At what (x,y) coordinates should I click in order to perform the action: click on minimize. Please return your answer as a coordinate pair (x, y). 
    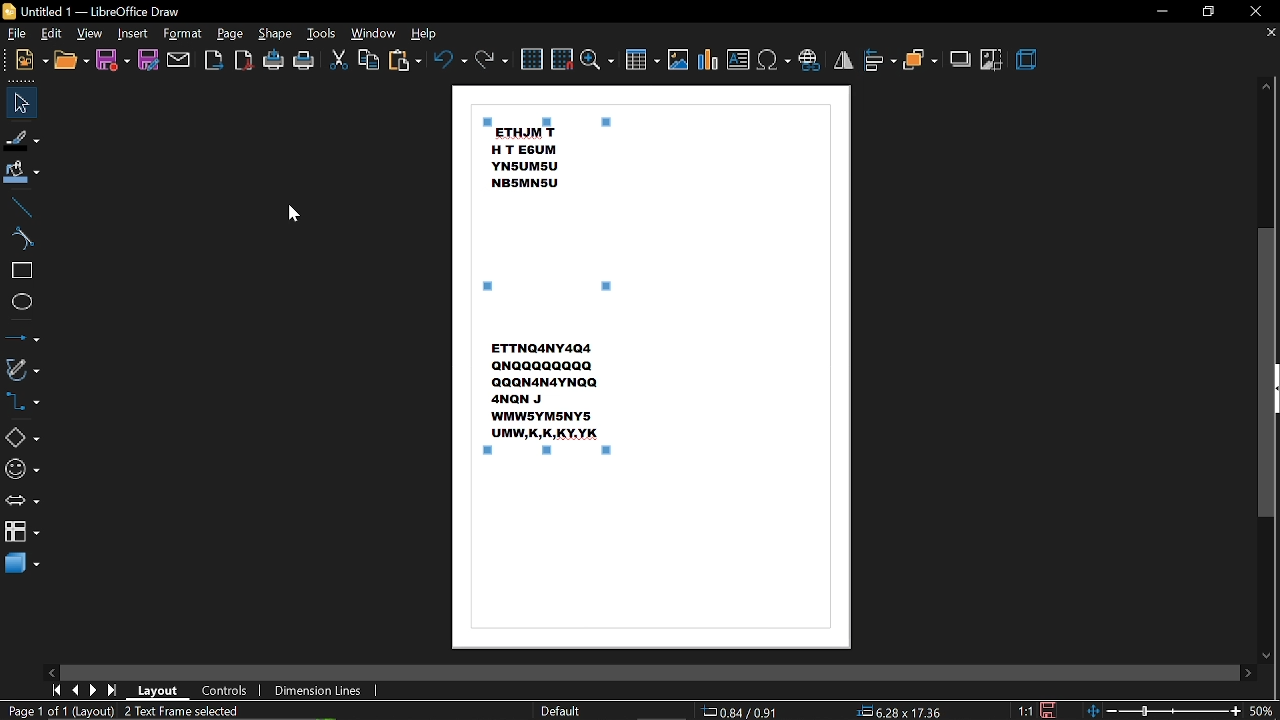
    Looking at the image, I should click on (1161, 10).